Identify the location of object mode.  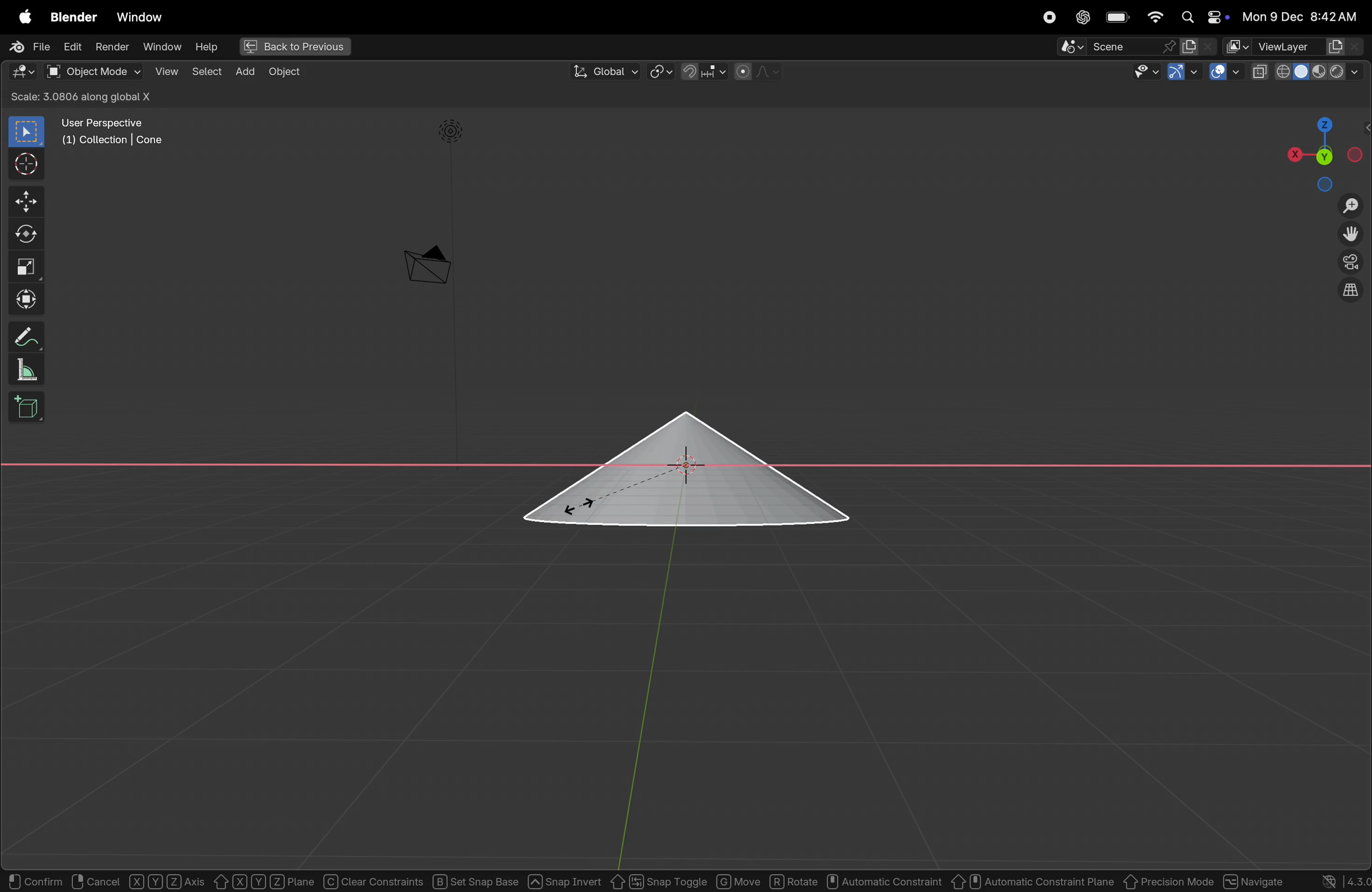
(93, 71).